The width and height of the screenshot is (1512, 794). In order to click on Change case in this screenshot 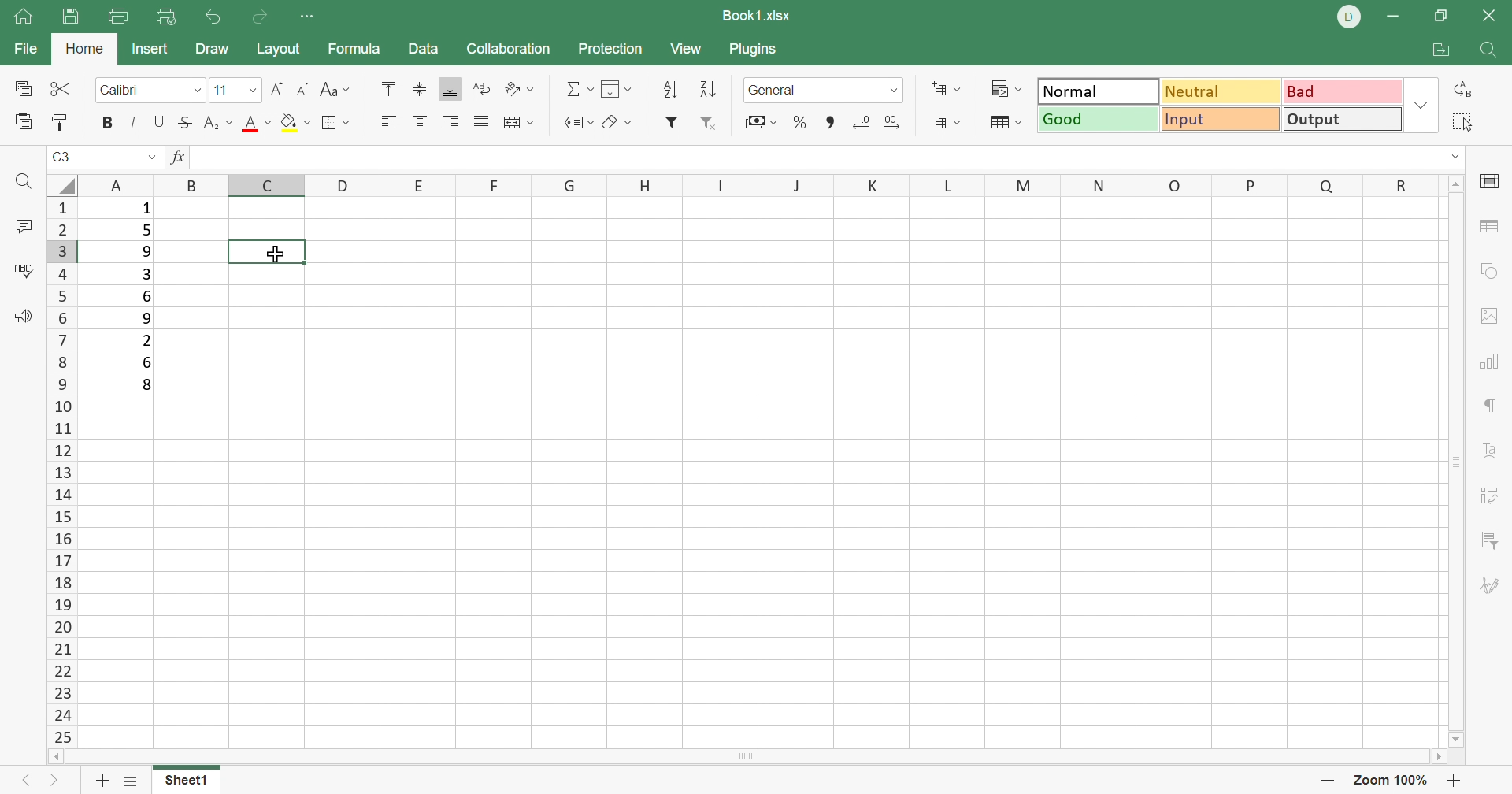, I will do `click(337, 91)`.